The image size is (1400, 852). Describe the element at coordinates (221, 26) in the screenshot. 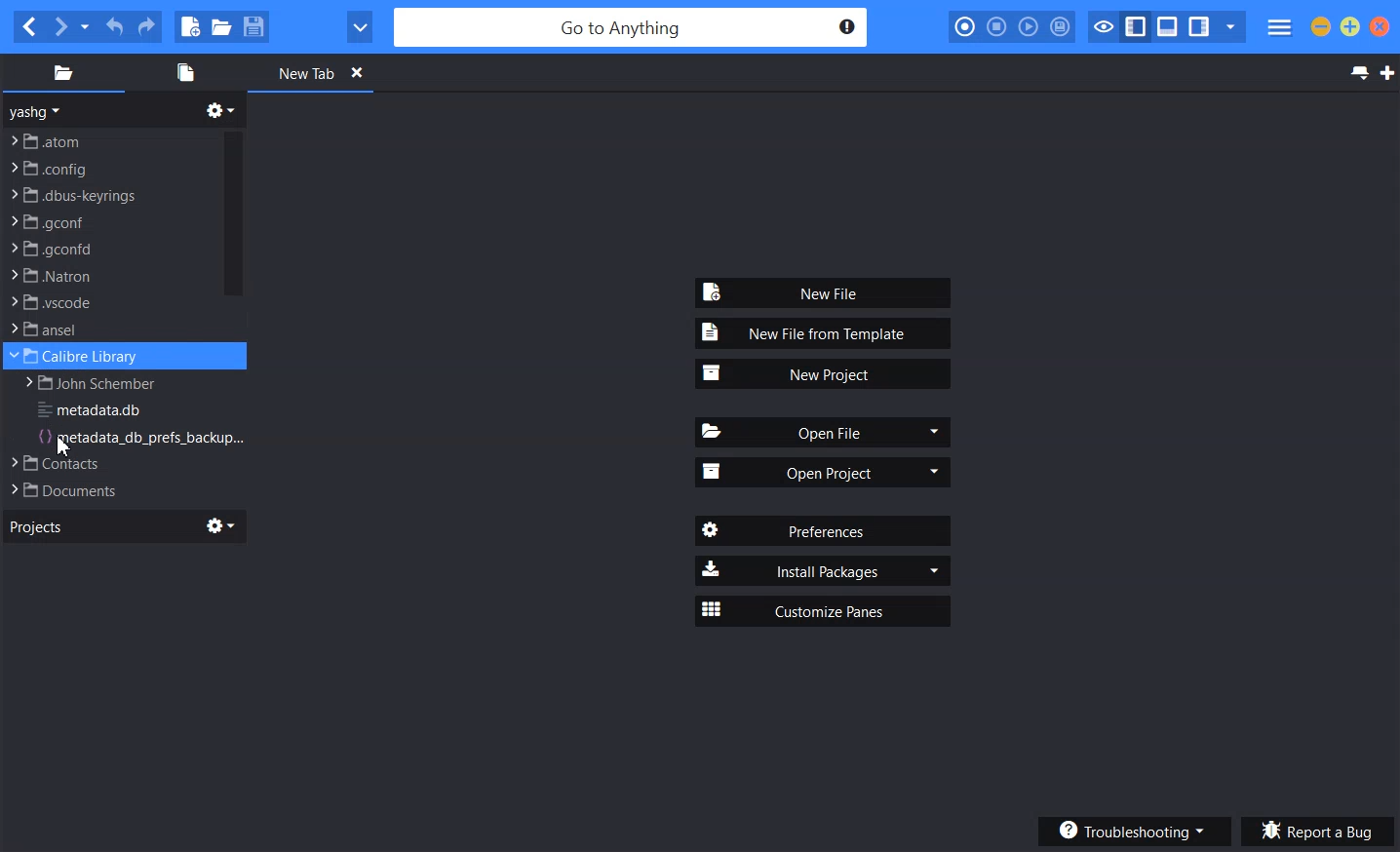

I see `Open file` at that location.